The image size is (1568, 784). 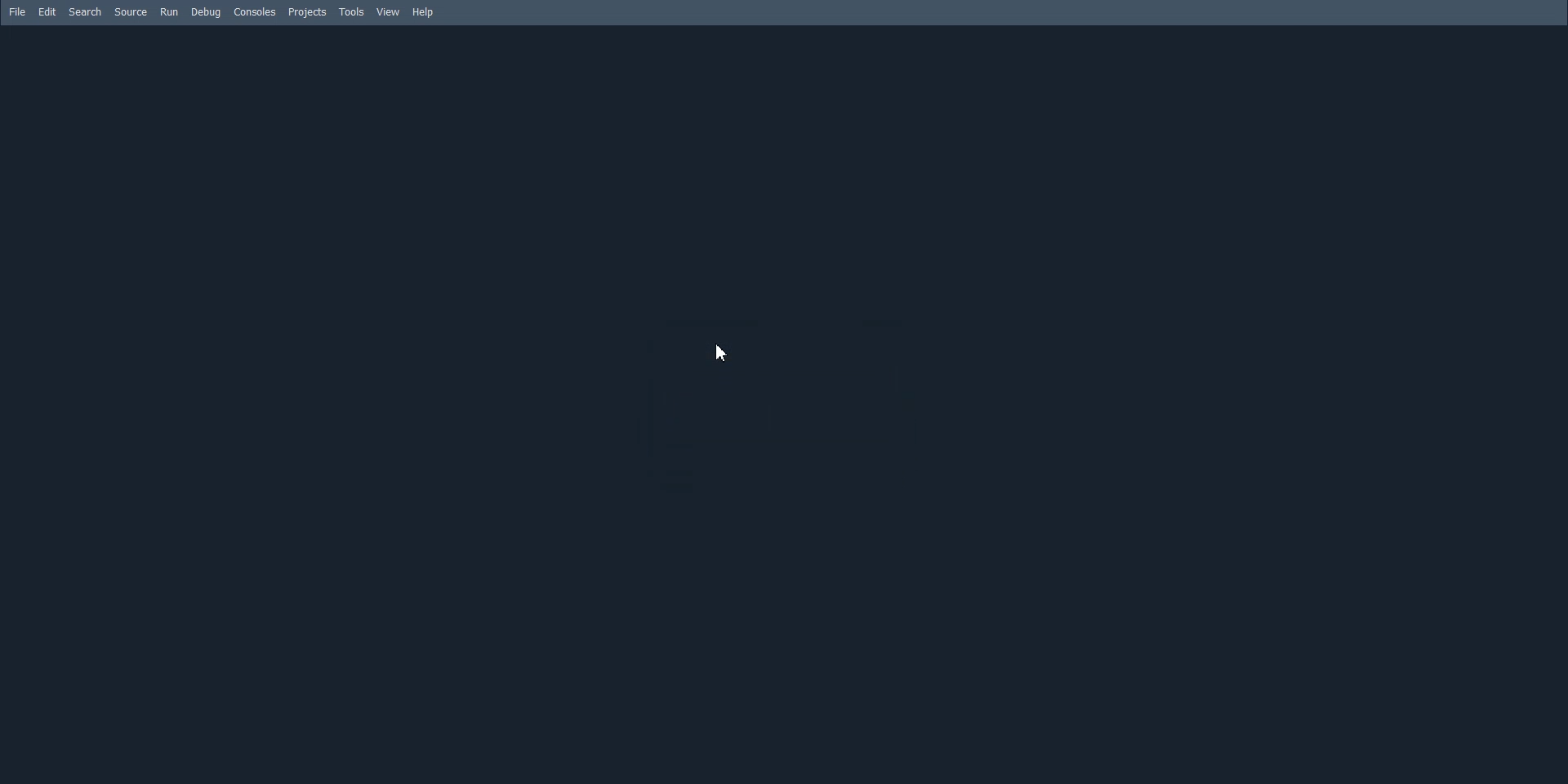 What do you see at coordinates (425, 13) in the screenshot?
I see `Help` at bounding box center [425, 13].